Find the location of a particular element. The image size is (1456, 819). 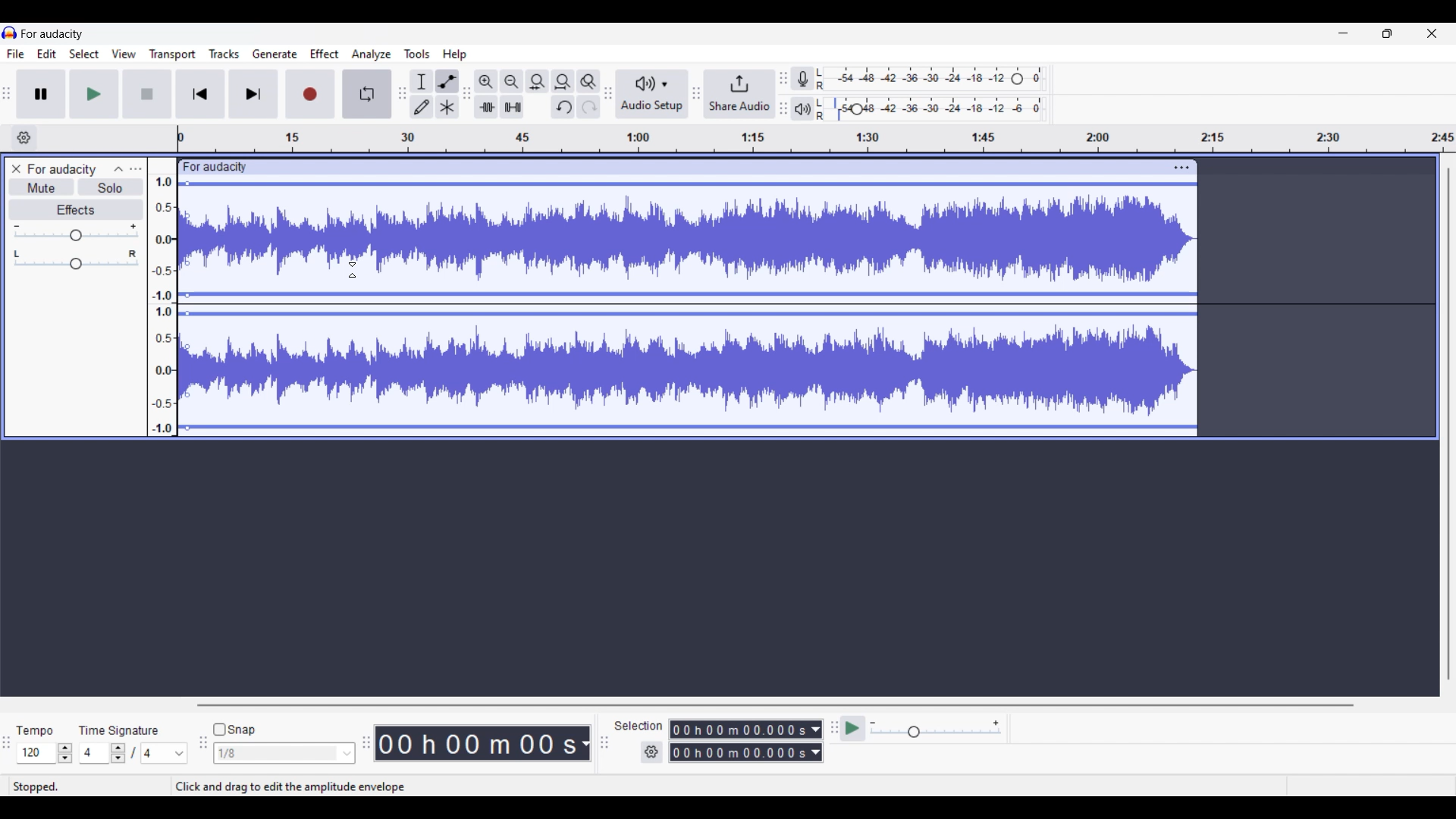

Zoom out is located at coordinates (513, 81).